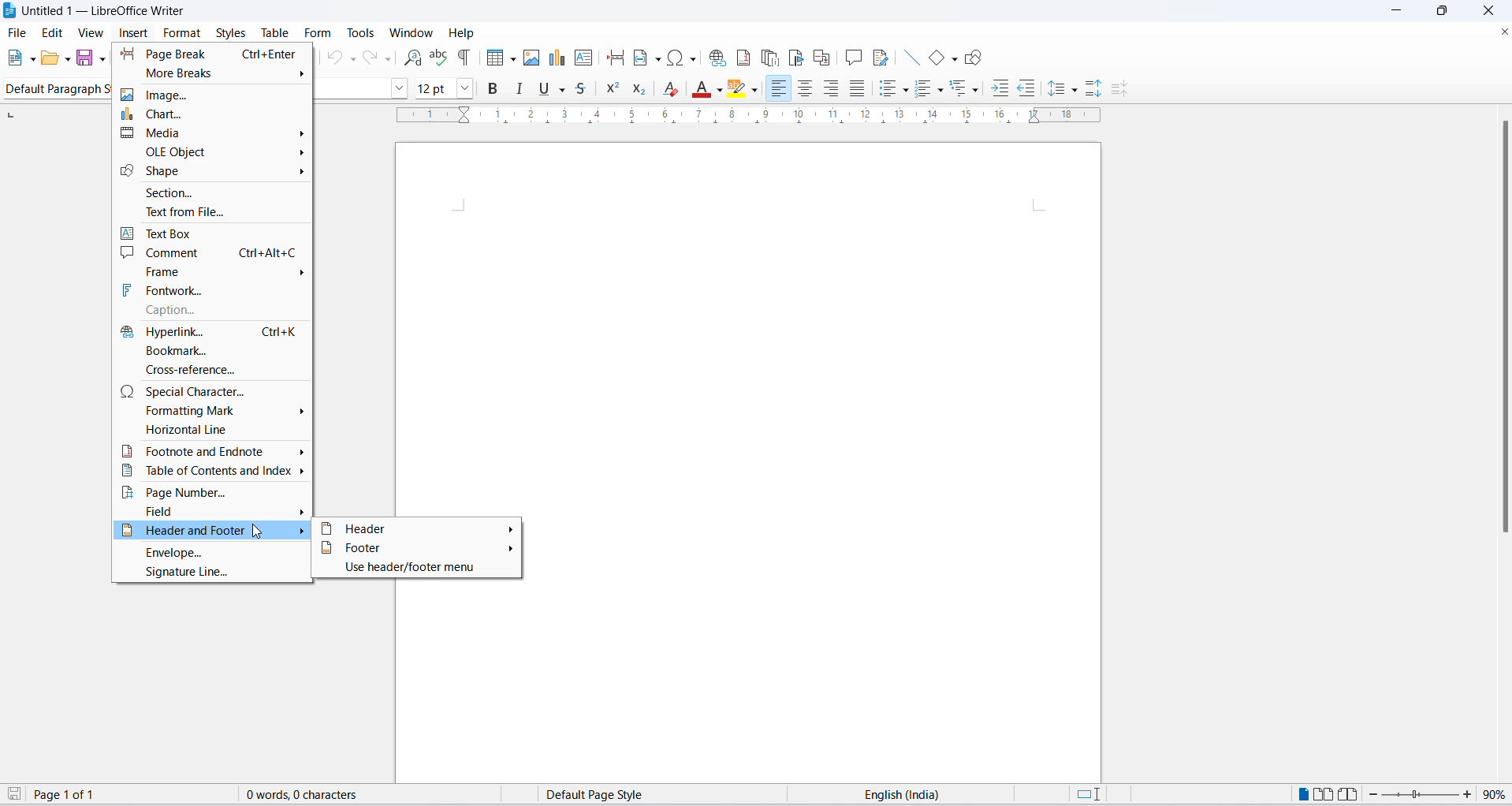  What do you see at coordinates (470, 88) in the screenshot?
I see `font size options` at bounding box center [470, 88].